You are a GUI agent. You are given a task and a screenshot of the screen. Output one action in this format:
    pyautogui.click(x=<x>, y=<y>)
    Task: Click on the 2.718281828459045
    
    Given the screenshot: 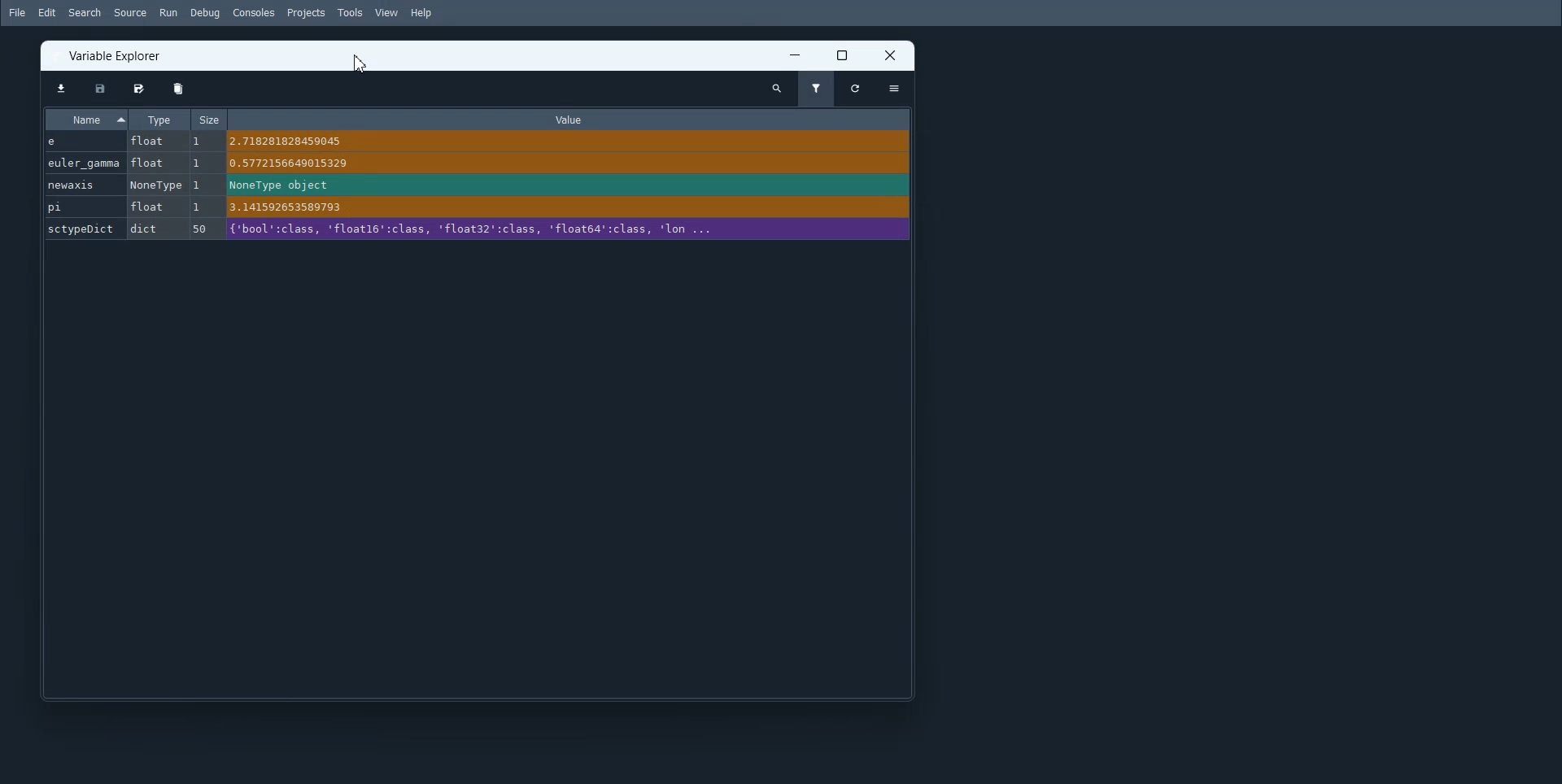 What is the action you would take?
    pyautogui.click(x=289, y=141)
    